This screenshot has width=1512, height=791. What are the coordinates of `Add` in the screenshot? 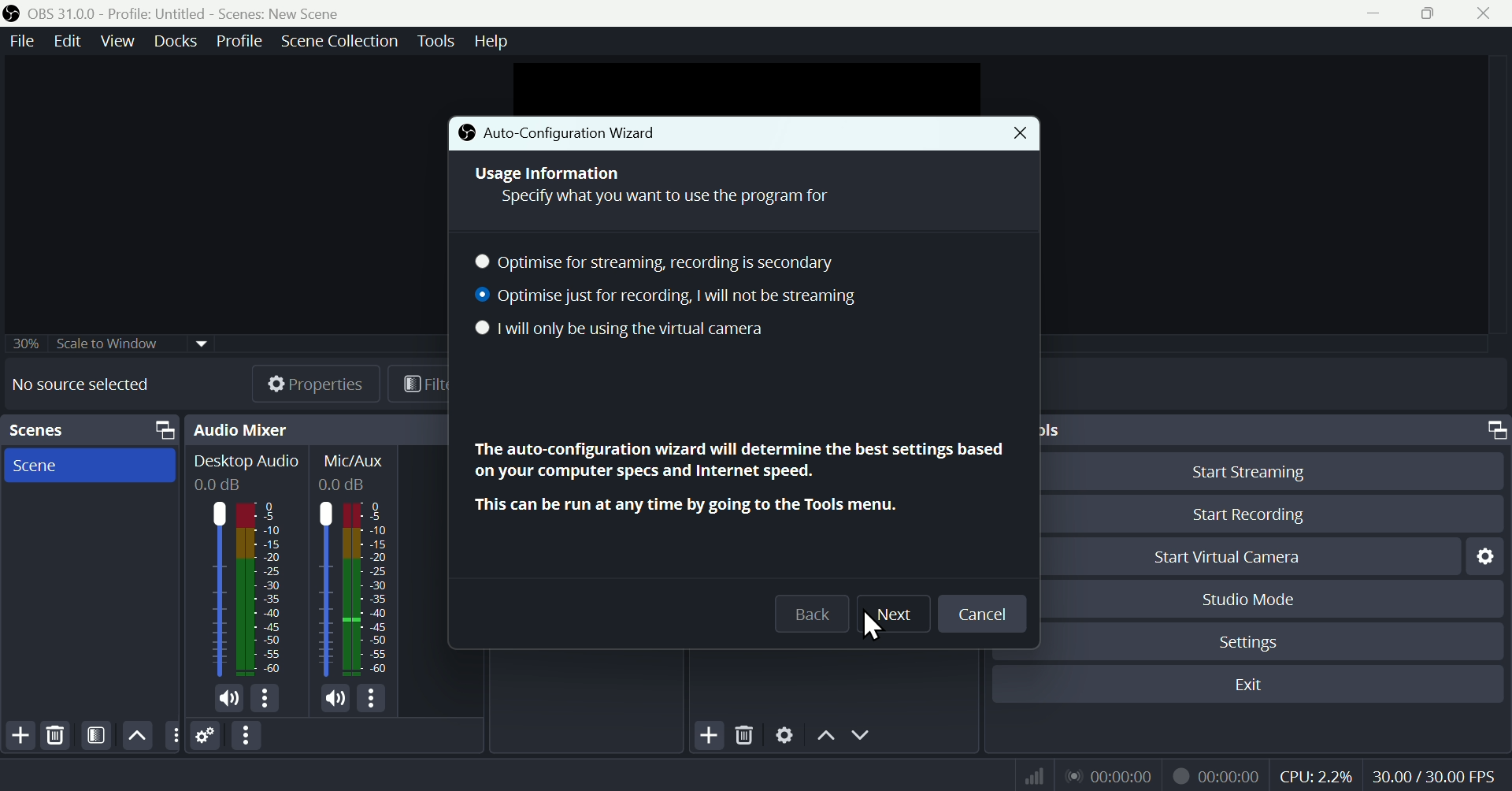 It's located at (707, 733).